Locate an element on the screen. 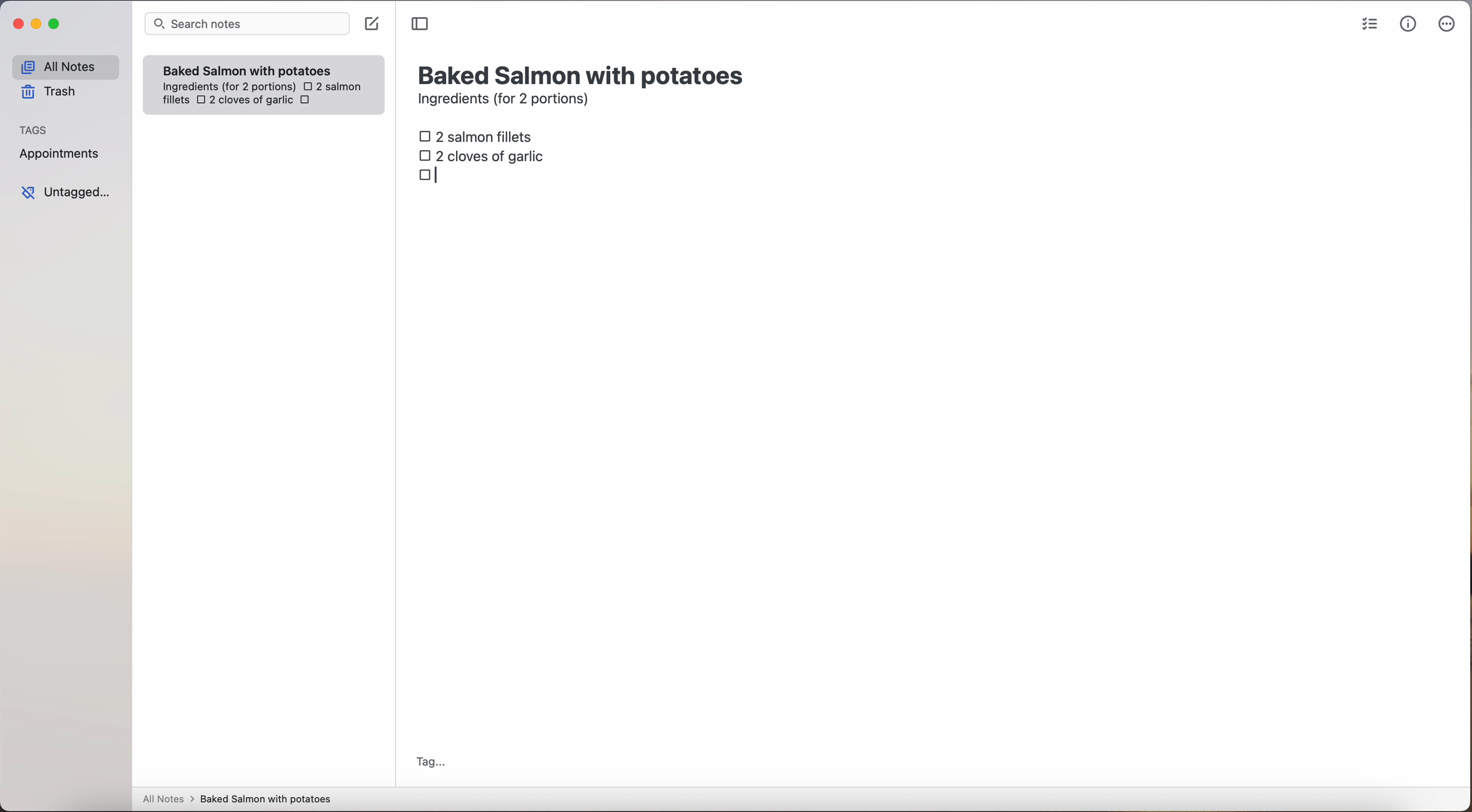 Image resolution: width=1472 pixels, height=812 pixels. metrics is located at coordinates (1409, 23).